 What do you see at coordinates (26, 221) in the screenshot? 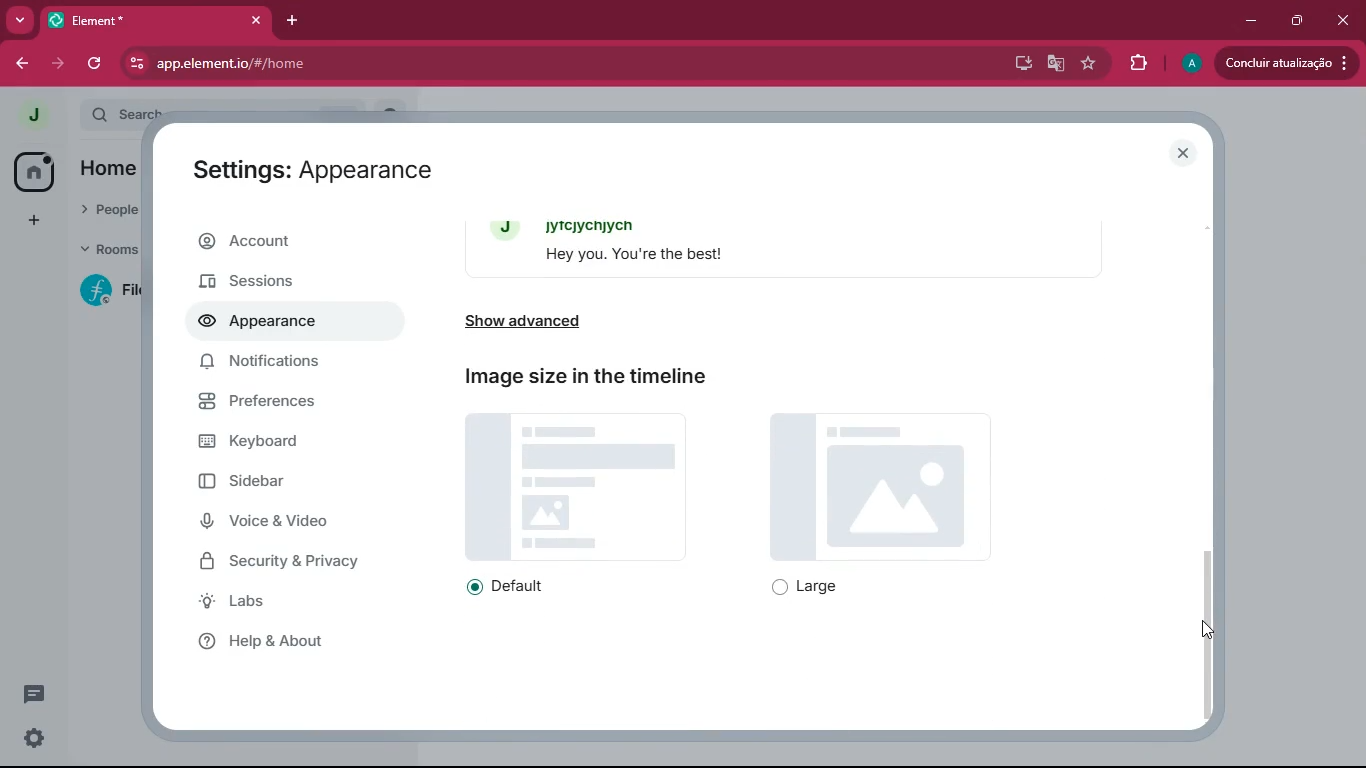
I see `add` at bounding box center [26, 221].